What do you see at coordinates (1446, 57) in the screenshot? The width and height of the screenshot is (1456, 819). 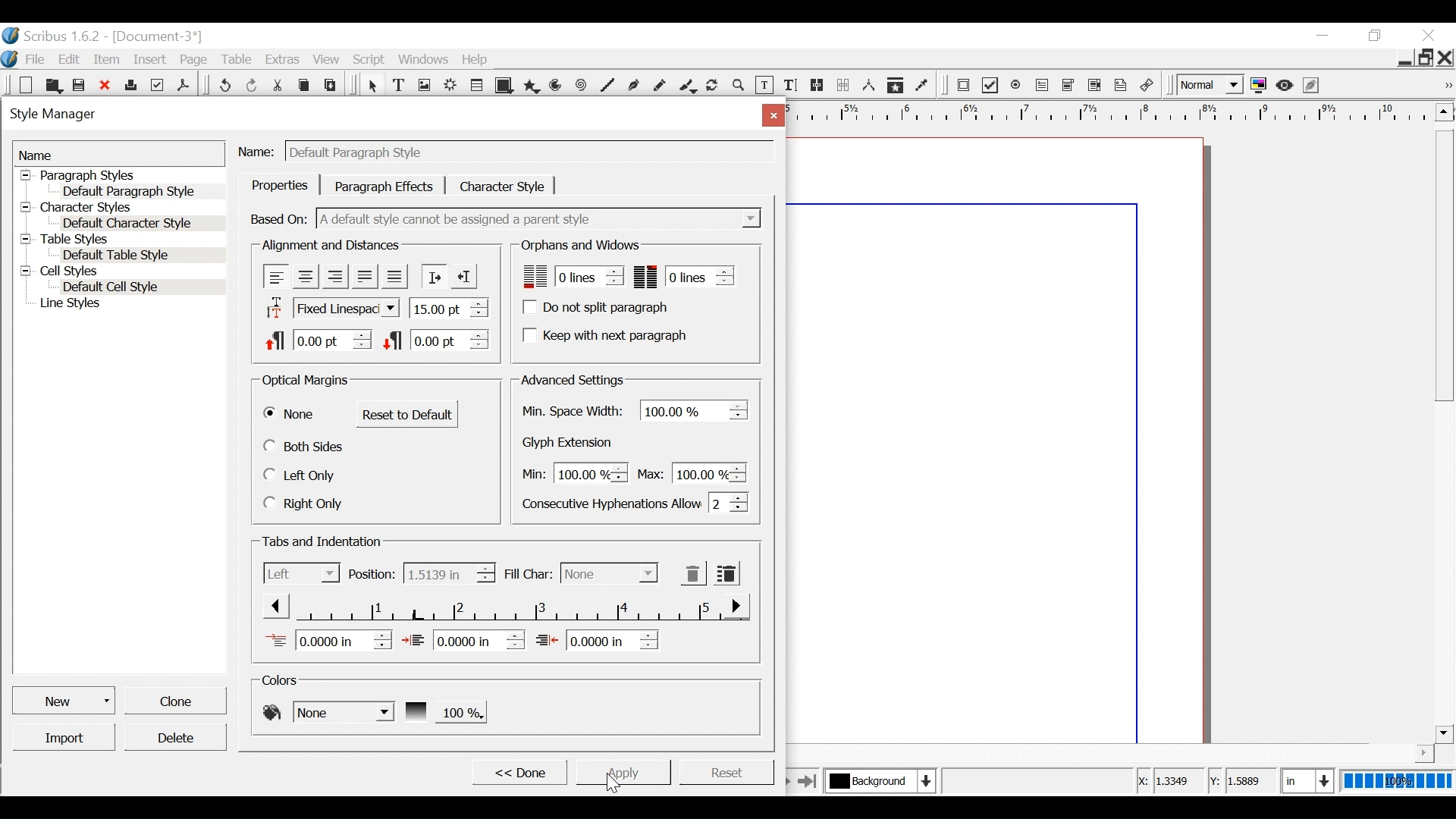 I see `Close` at bounding box center [1446, 57].